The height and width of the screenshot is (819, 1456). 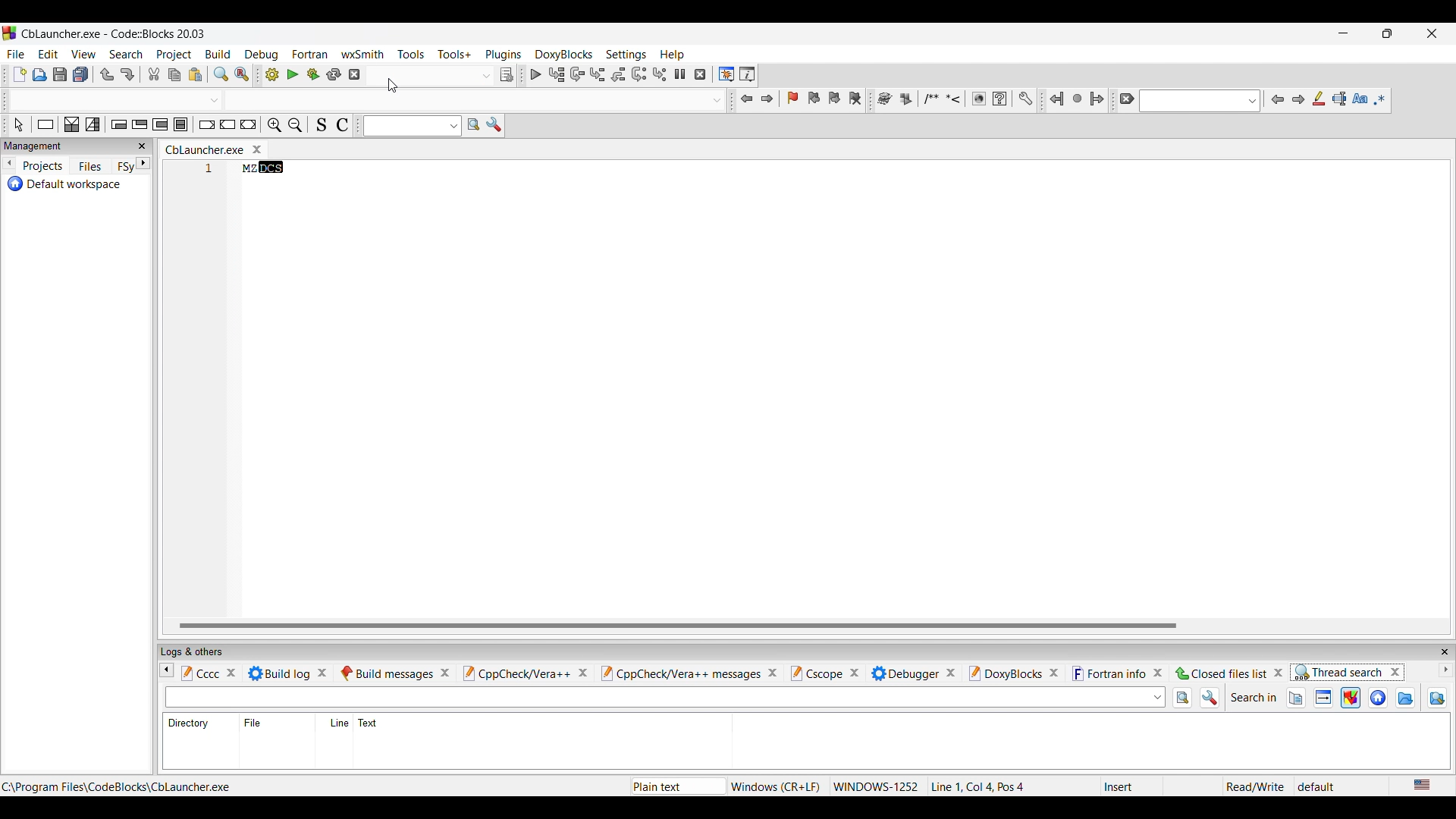 I want to click on Close interface, so click(x=1432, y=33).